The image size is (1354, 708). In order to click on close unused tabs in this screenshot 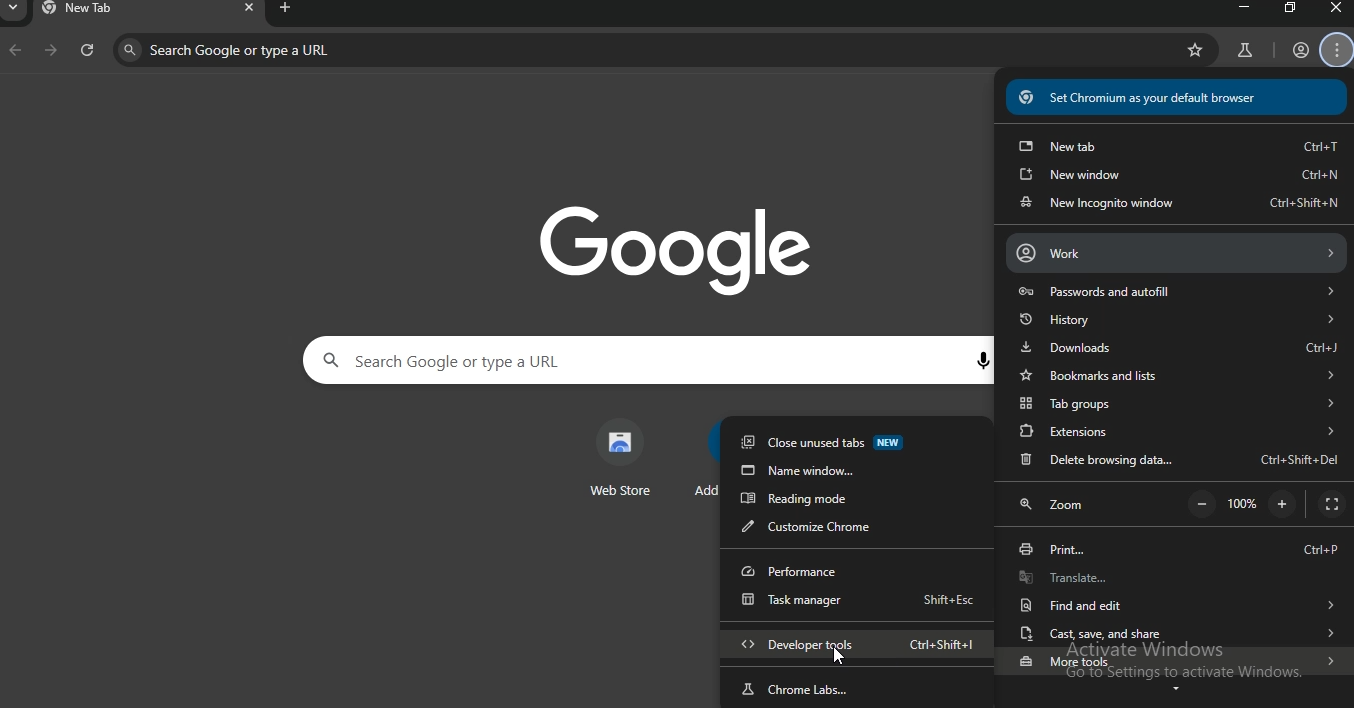, I will do `click(856, 444)`.